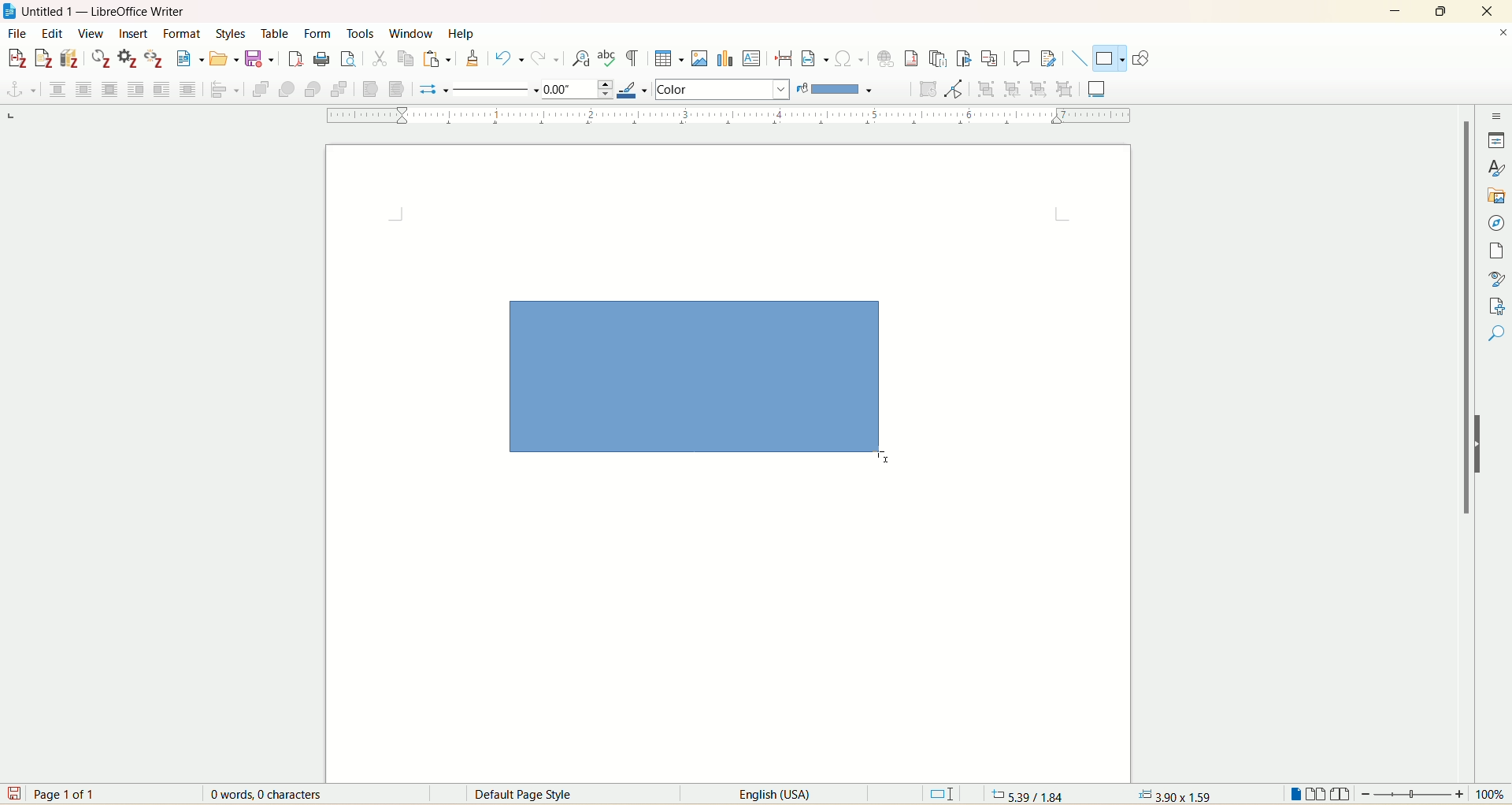 The height and width of the screenshot is (805, 1512). I want to click on English(USA), so click(763, 794).